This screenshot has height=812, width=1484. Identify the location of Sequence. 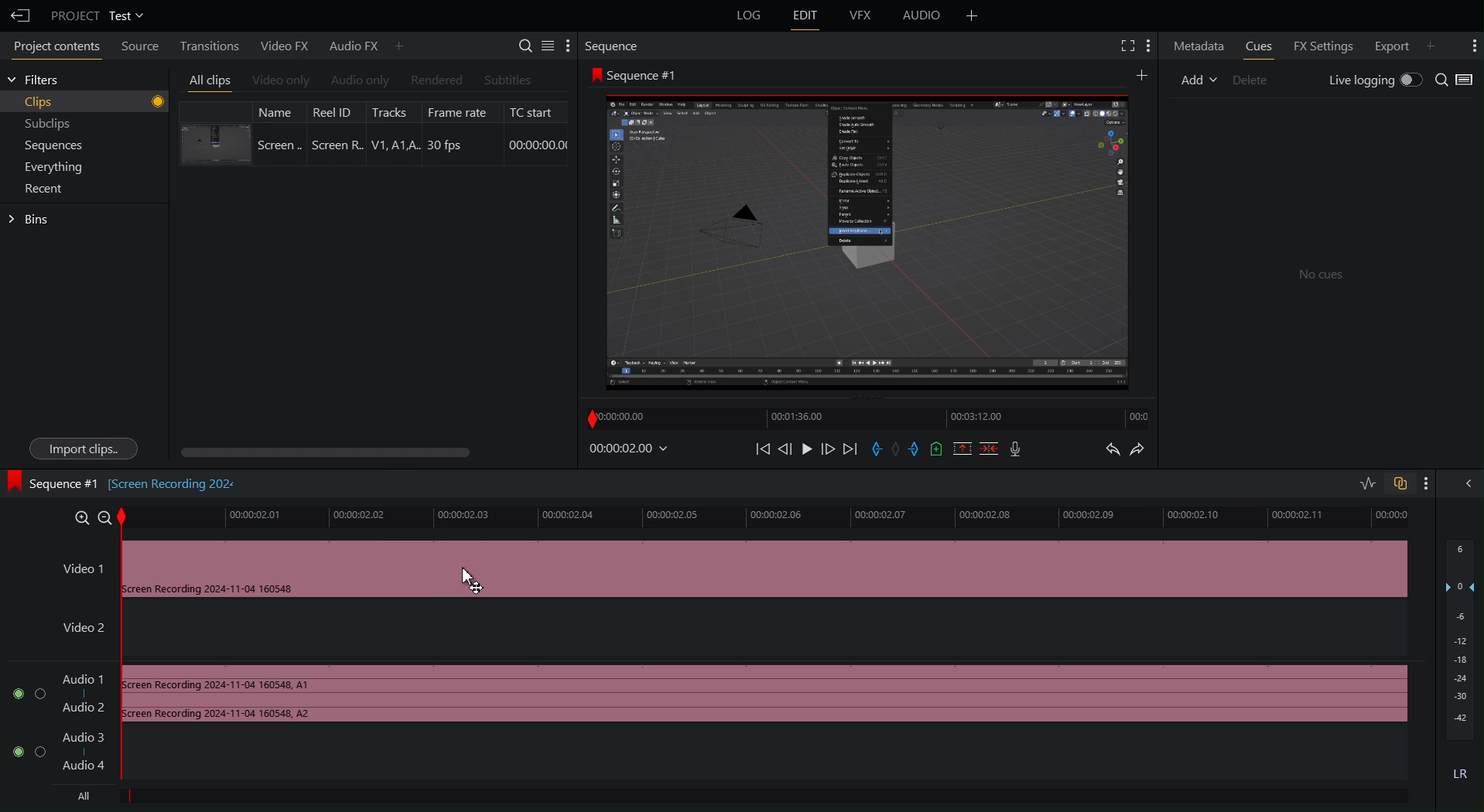
(616, 47).